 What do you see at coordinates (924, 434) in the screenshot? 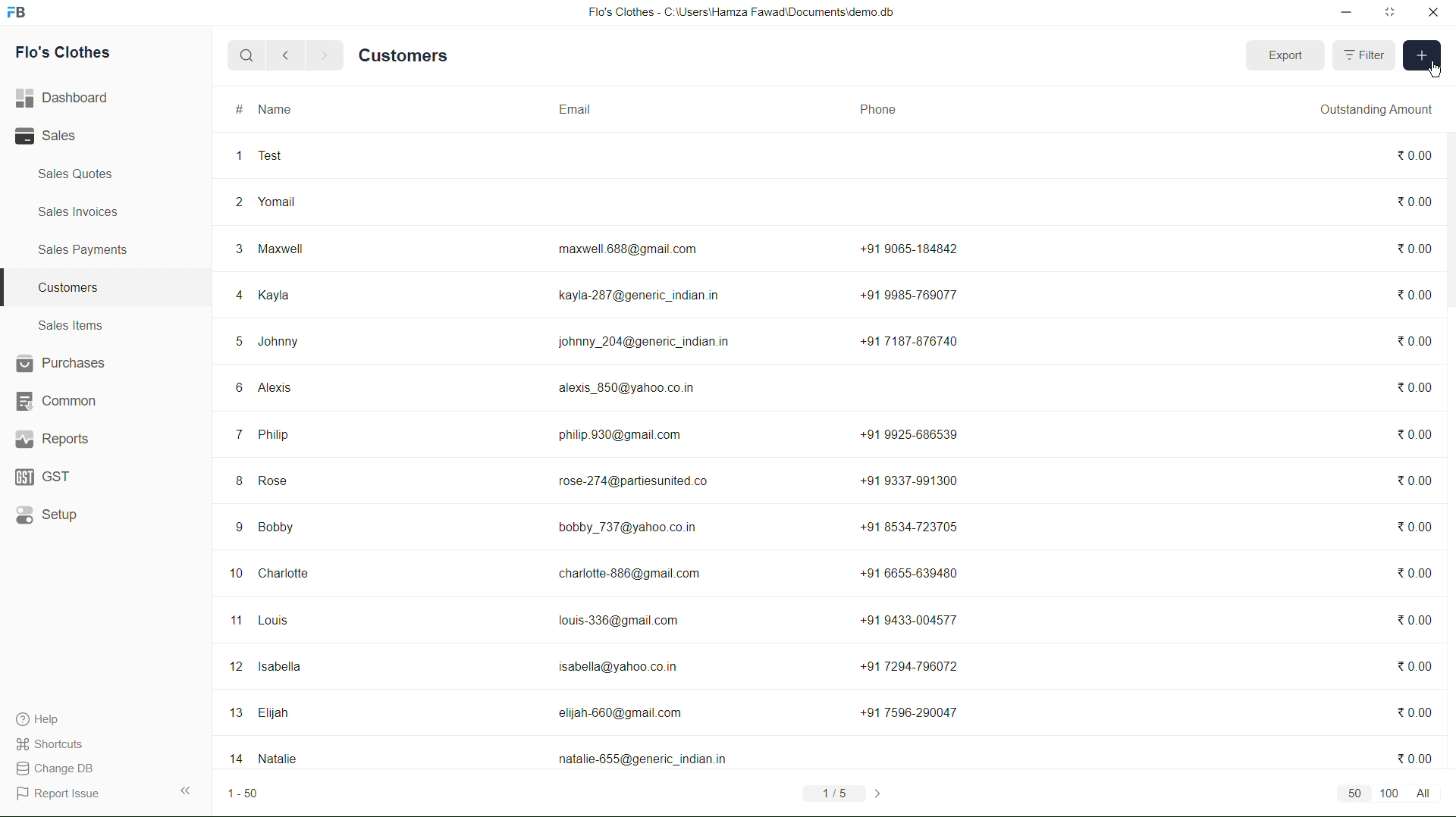
I see `+91 9925-686539` at bounding box center [924, 434].